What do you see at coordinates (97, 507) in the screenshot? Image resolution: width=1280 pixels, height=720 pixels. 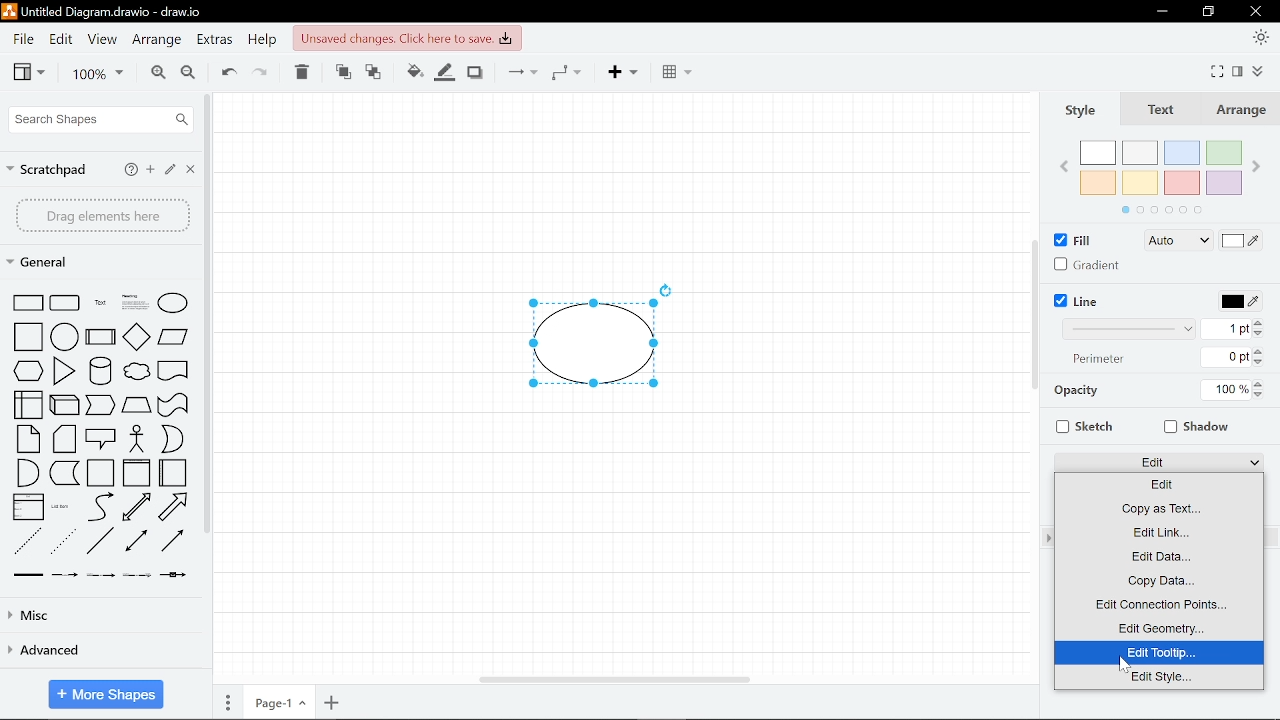 I see `curve` at bounding box center [97, 507].